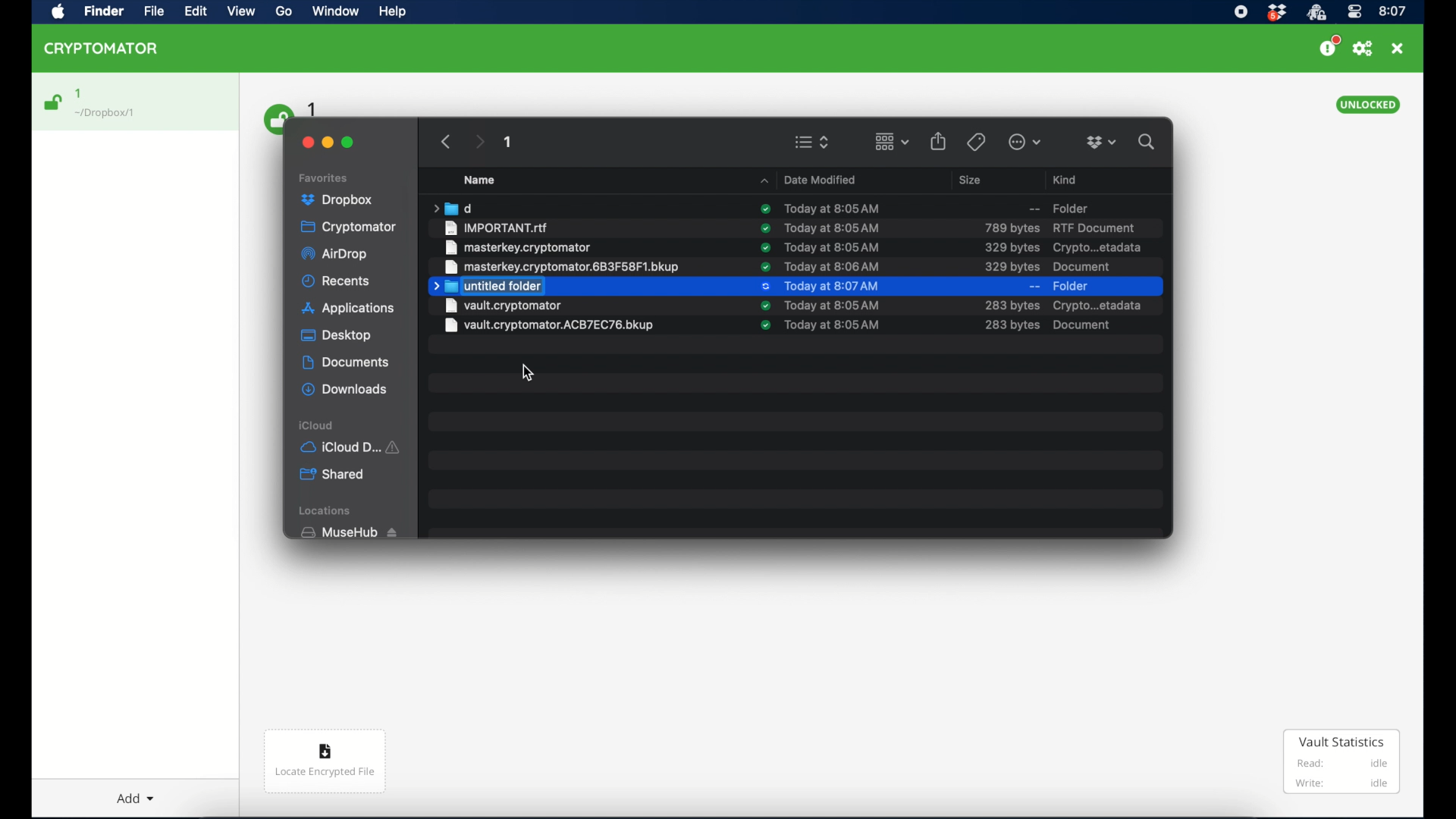 Image resolution: width=1456 pixels, height=819 pixels. Describe the element at coordinates (328, 511) in the screenshot. I see `locations` at that location.